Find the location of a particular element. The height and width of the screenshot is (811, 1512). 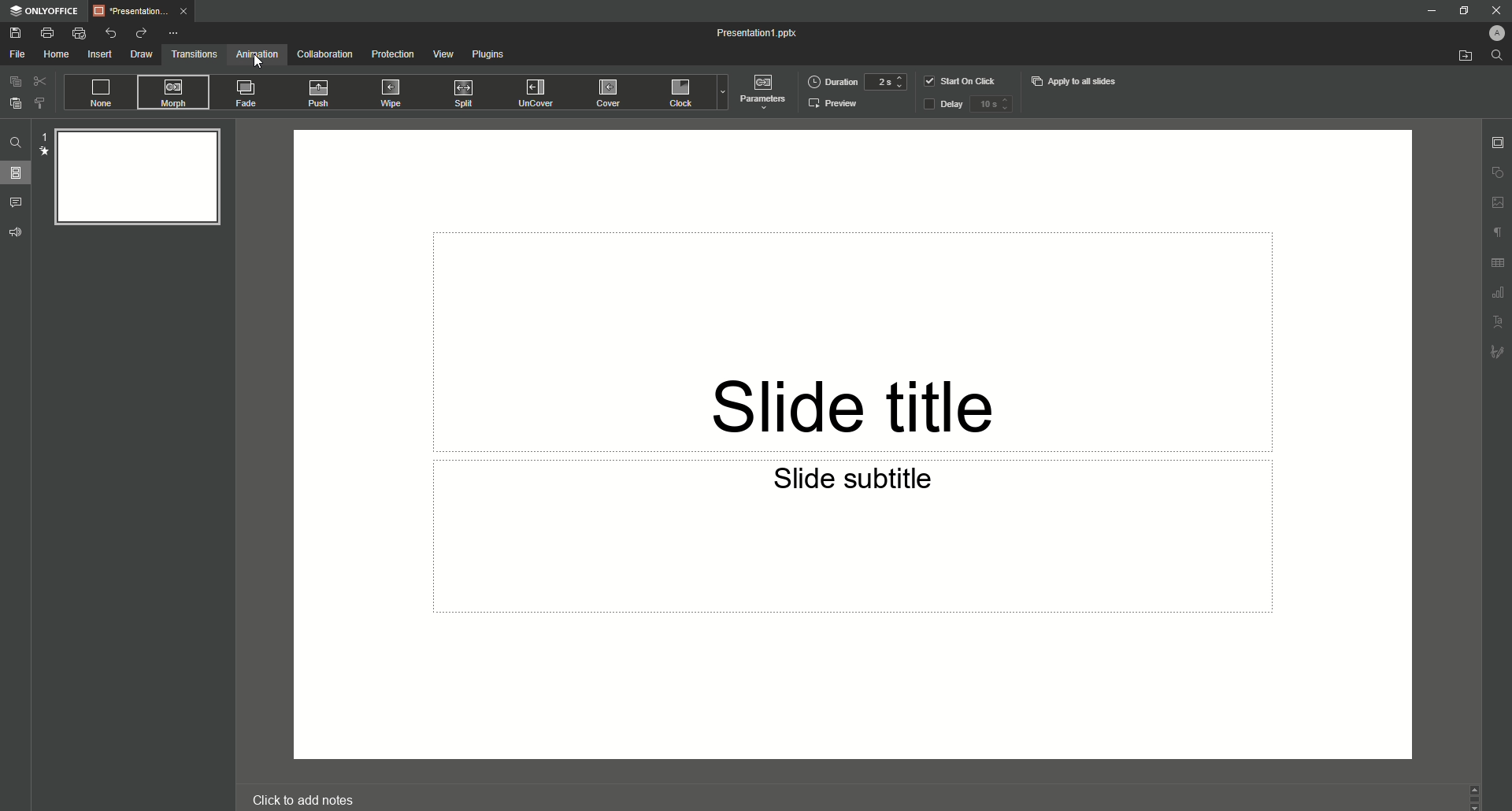

More Options is located at coordinates (174, 34).